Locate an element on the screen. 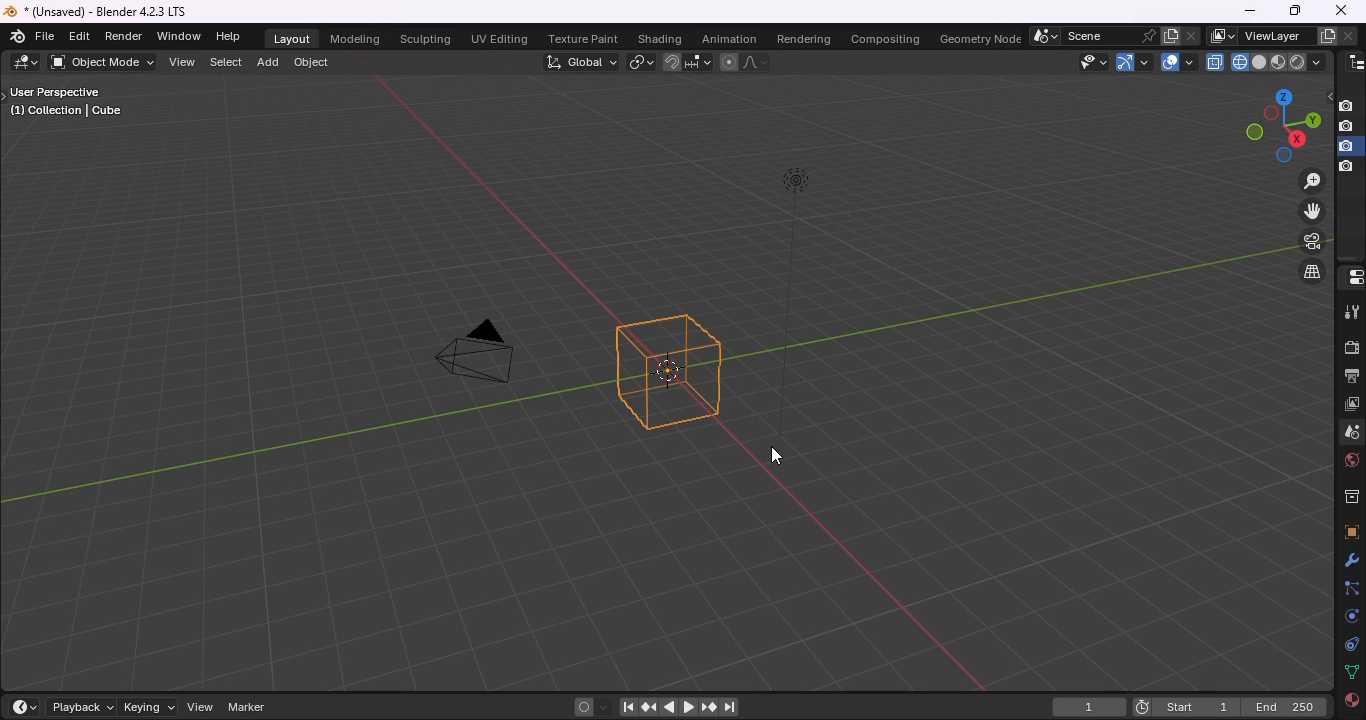 The image size is (1366, 720). the active workspace view layer is located at coordinates (1223, 35).